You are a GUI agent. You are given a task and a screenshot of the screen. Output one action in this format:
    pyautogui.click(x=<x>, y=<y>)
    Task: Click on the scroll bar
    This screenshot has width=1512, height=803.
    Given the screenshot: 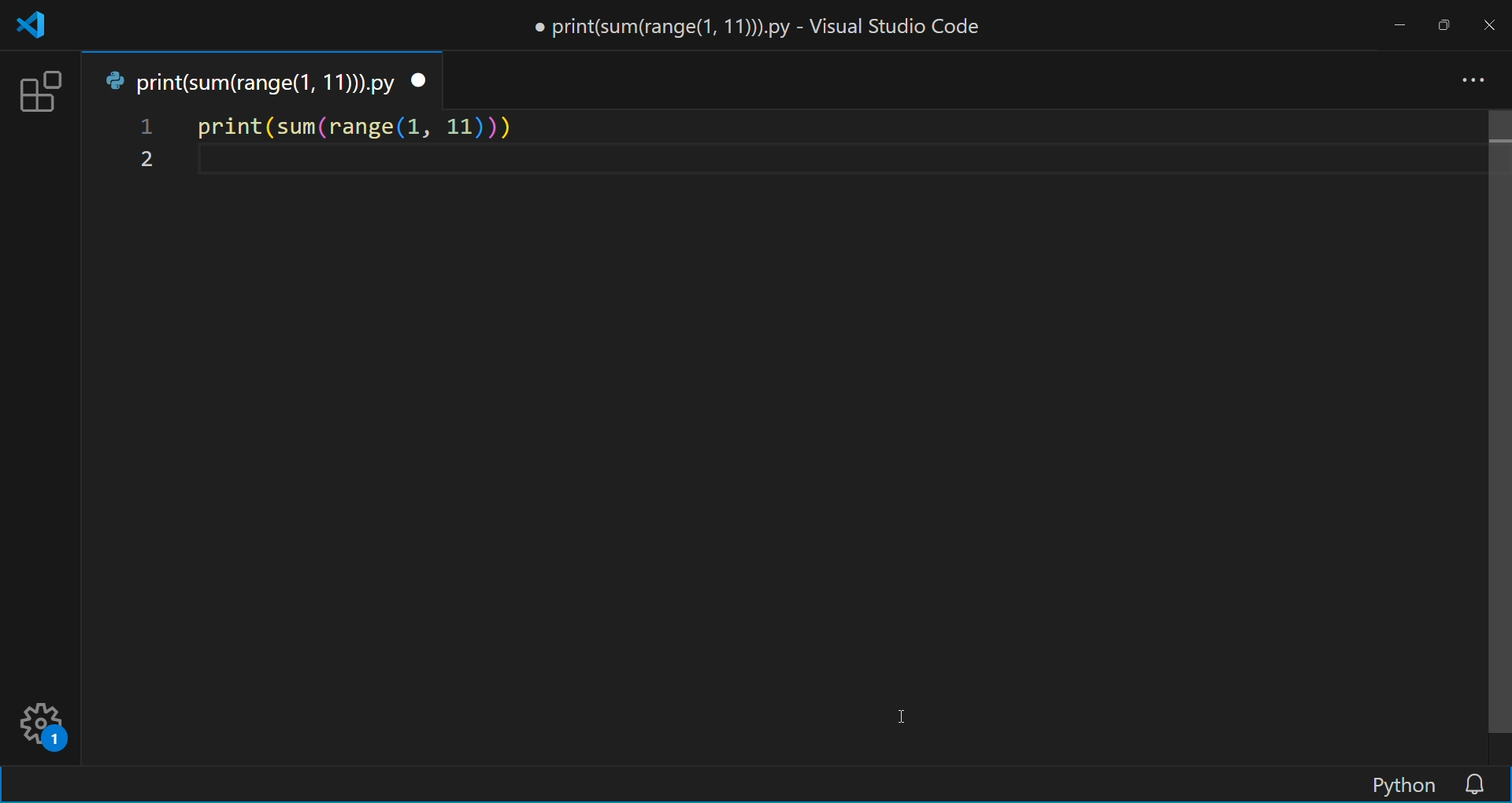 What is the action you would take?
    pyautogui.click(x=1496, y=426)
    